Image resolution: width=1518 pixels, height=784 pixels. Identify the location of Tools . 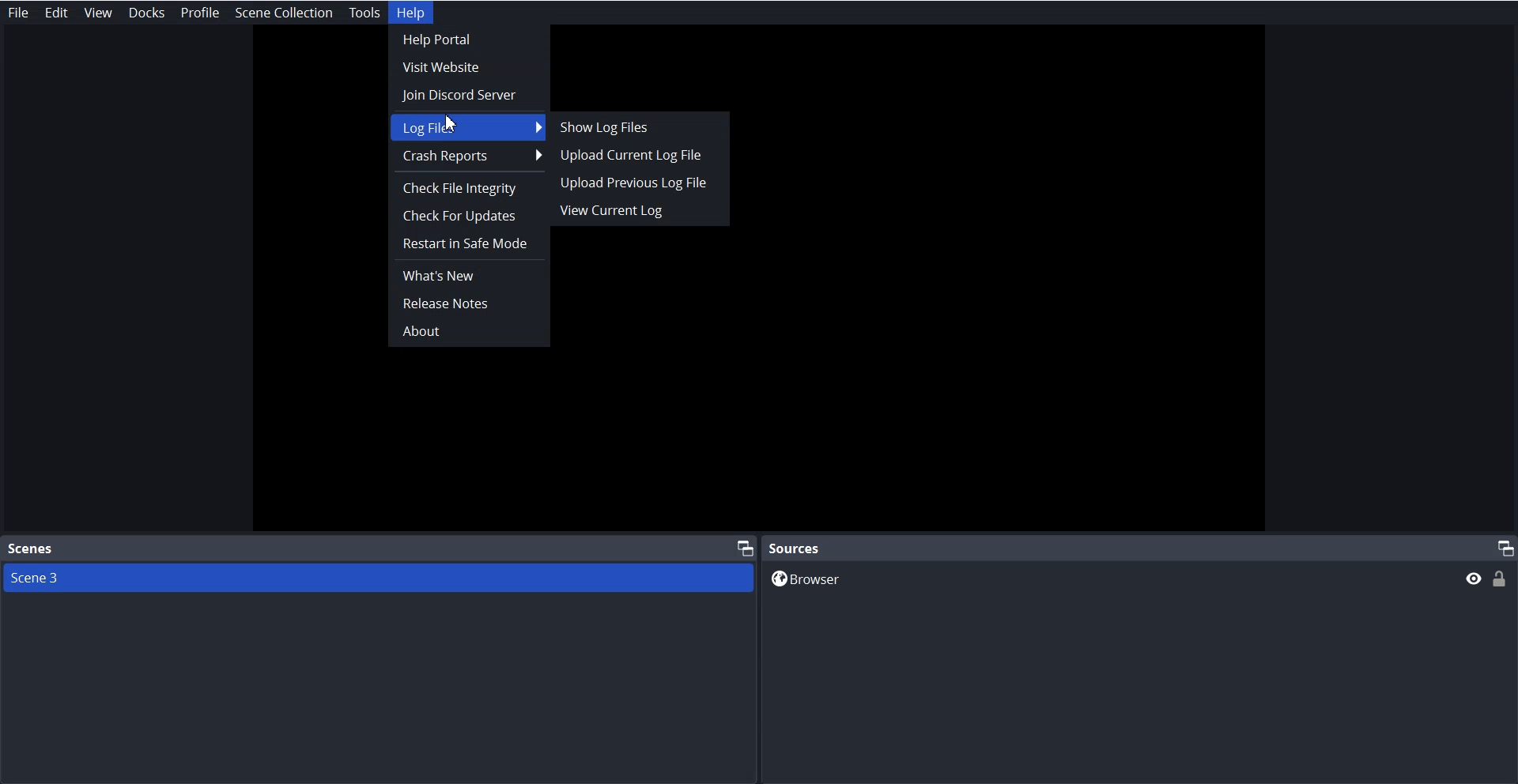
(363, 13).